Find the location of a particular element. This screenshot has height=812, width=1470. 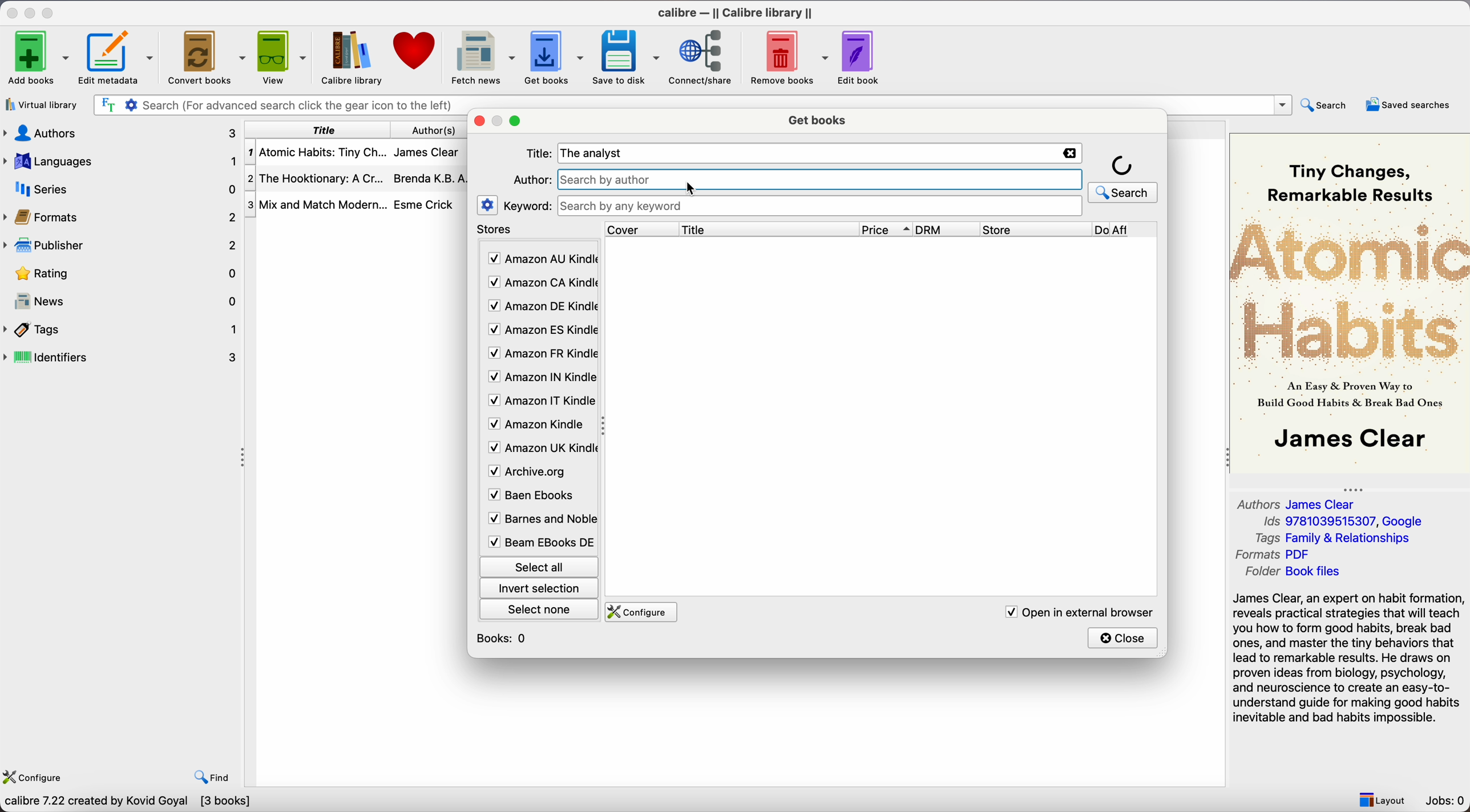

synopsis is located at coordinates (1350, 658).